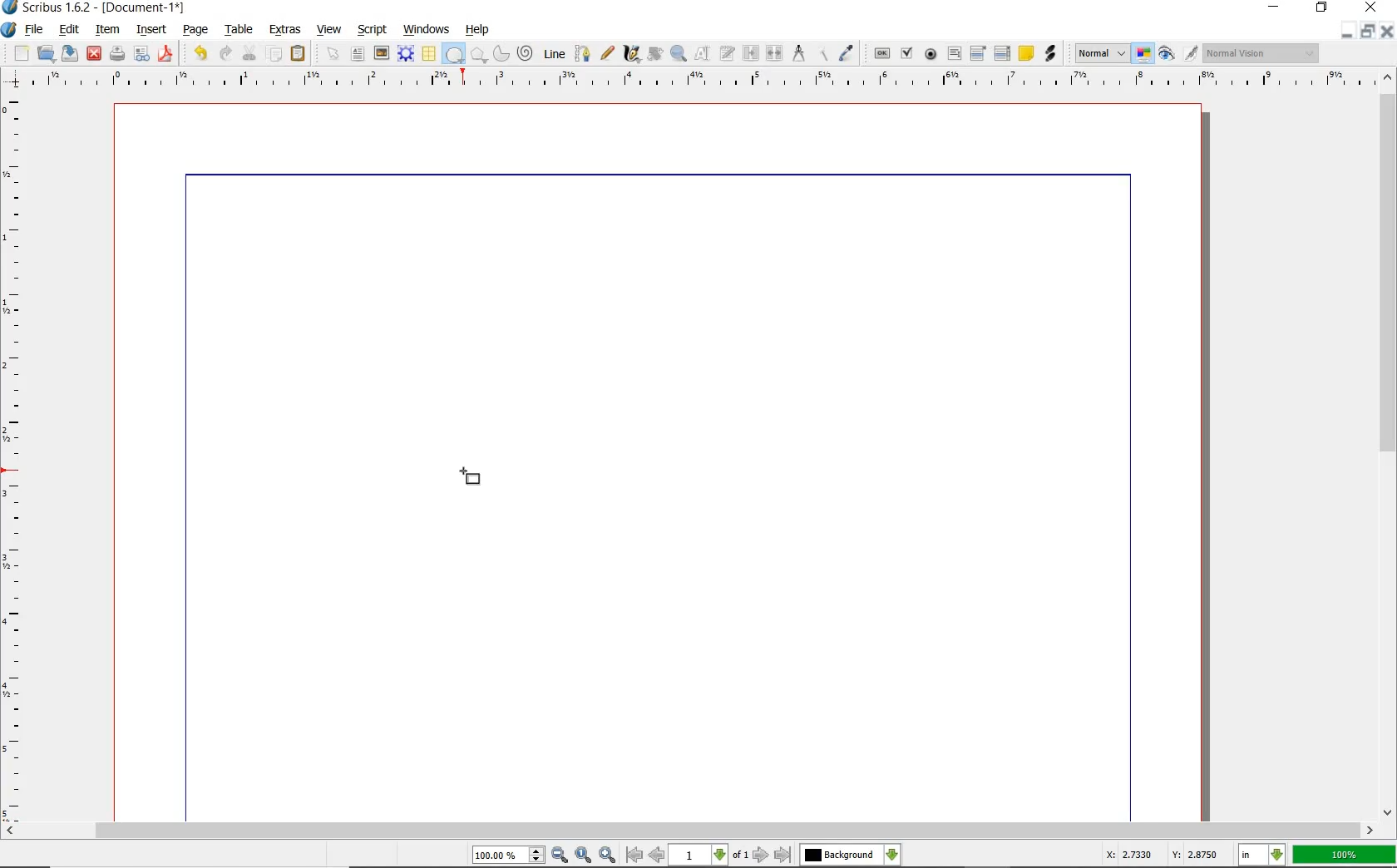  What do you see at coordinates (510, 856) in the screenshot?
I see `zoom ` at bounding box center [510, 856].